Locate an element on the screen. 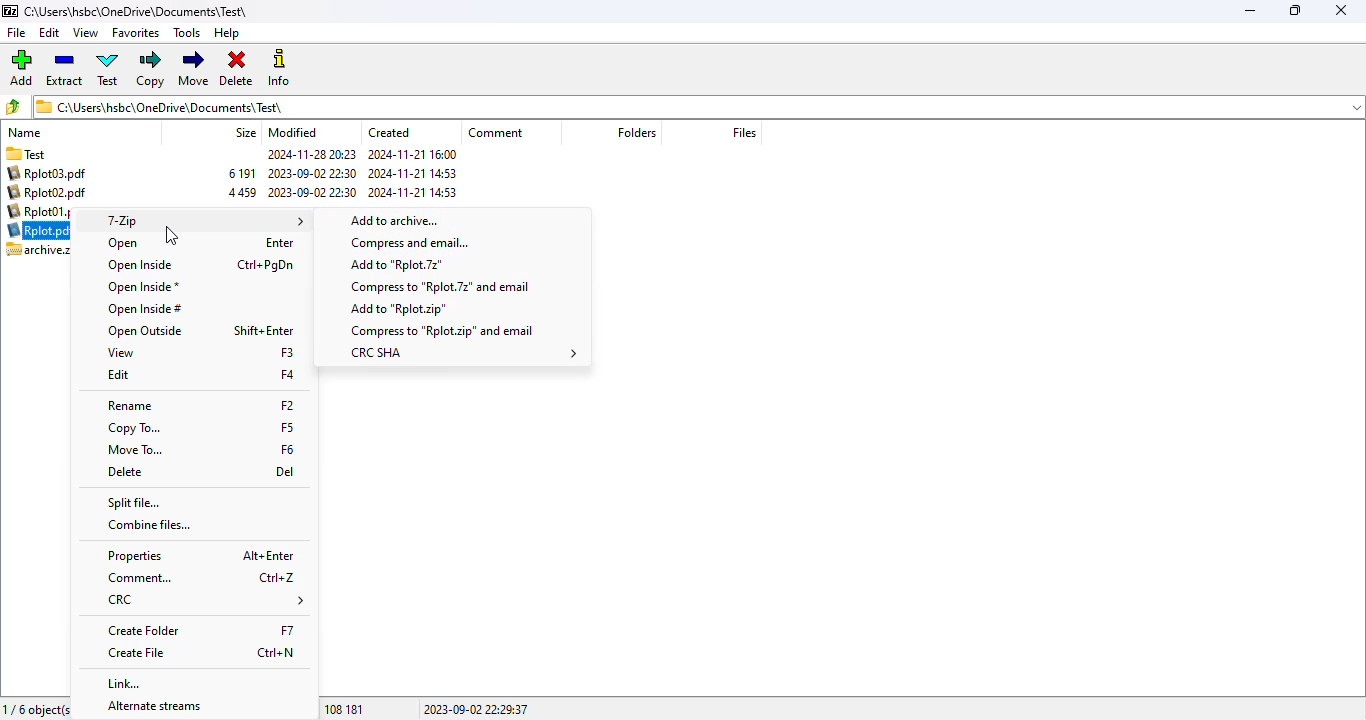 This screenshot has height=720, width=1366. open inside is located at coordinates (139, 265).